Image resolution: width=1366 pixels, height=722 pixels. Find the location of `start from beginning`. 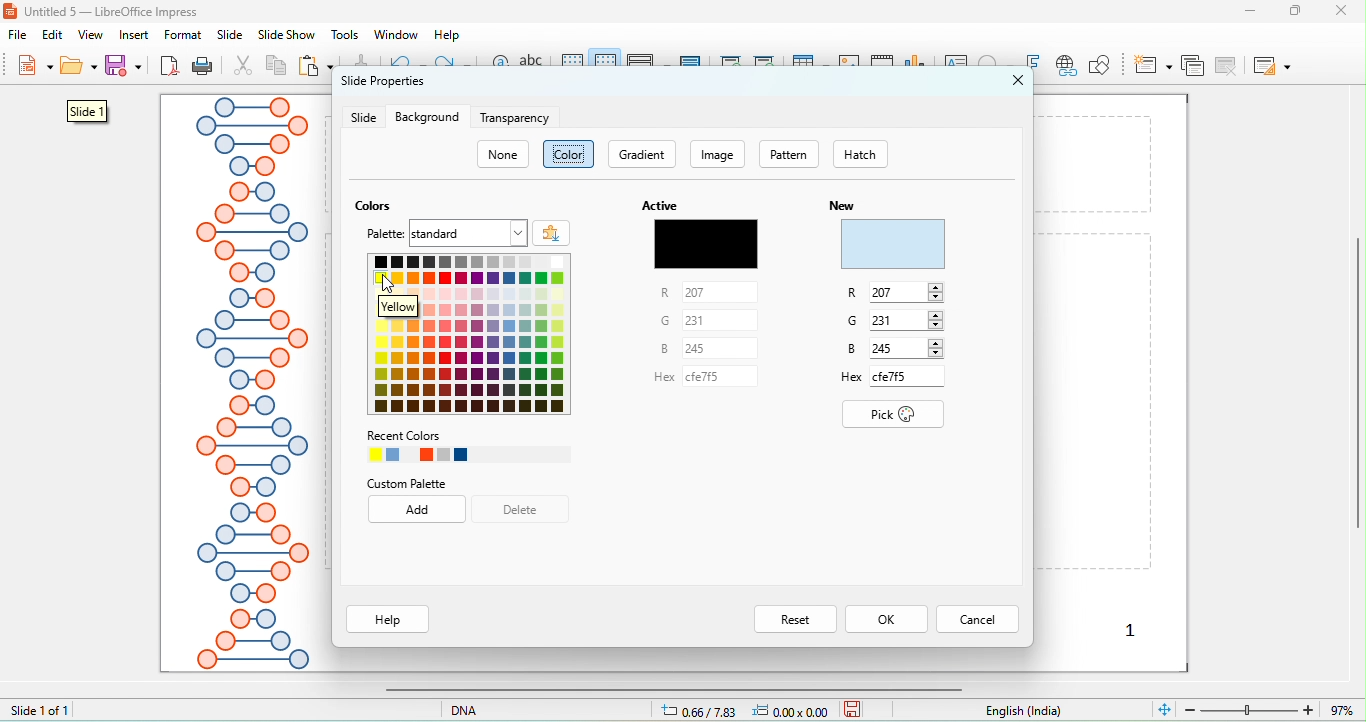

start from beginning is located at coordinates (732, 65).